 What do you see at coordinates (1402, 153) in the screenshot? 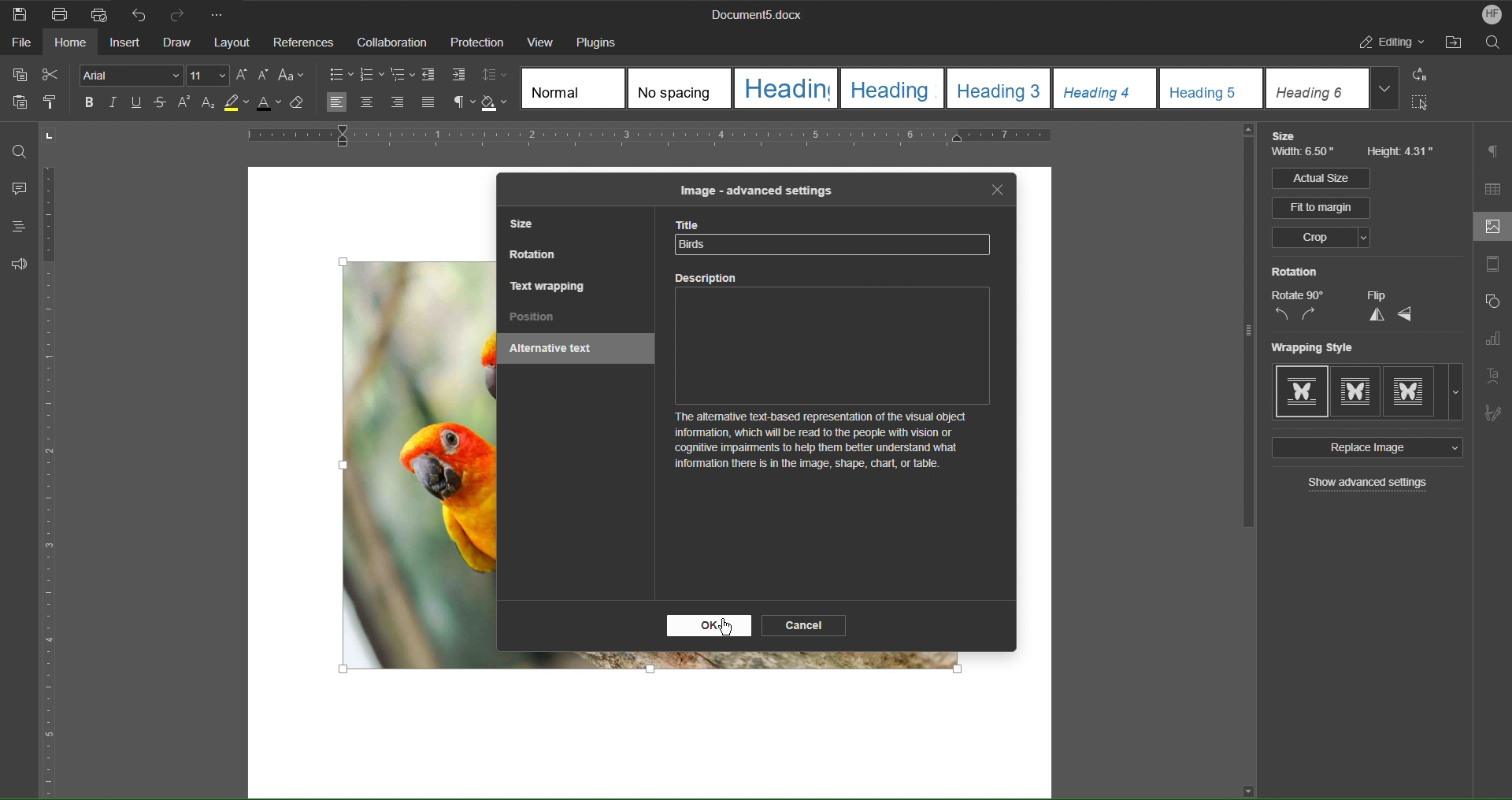
I see `Height` at bounding box center [1402, 153].